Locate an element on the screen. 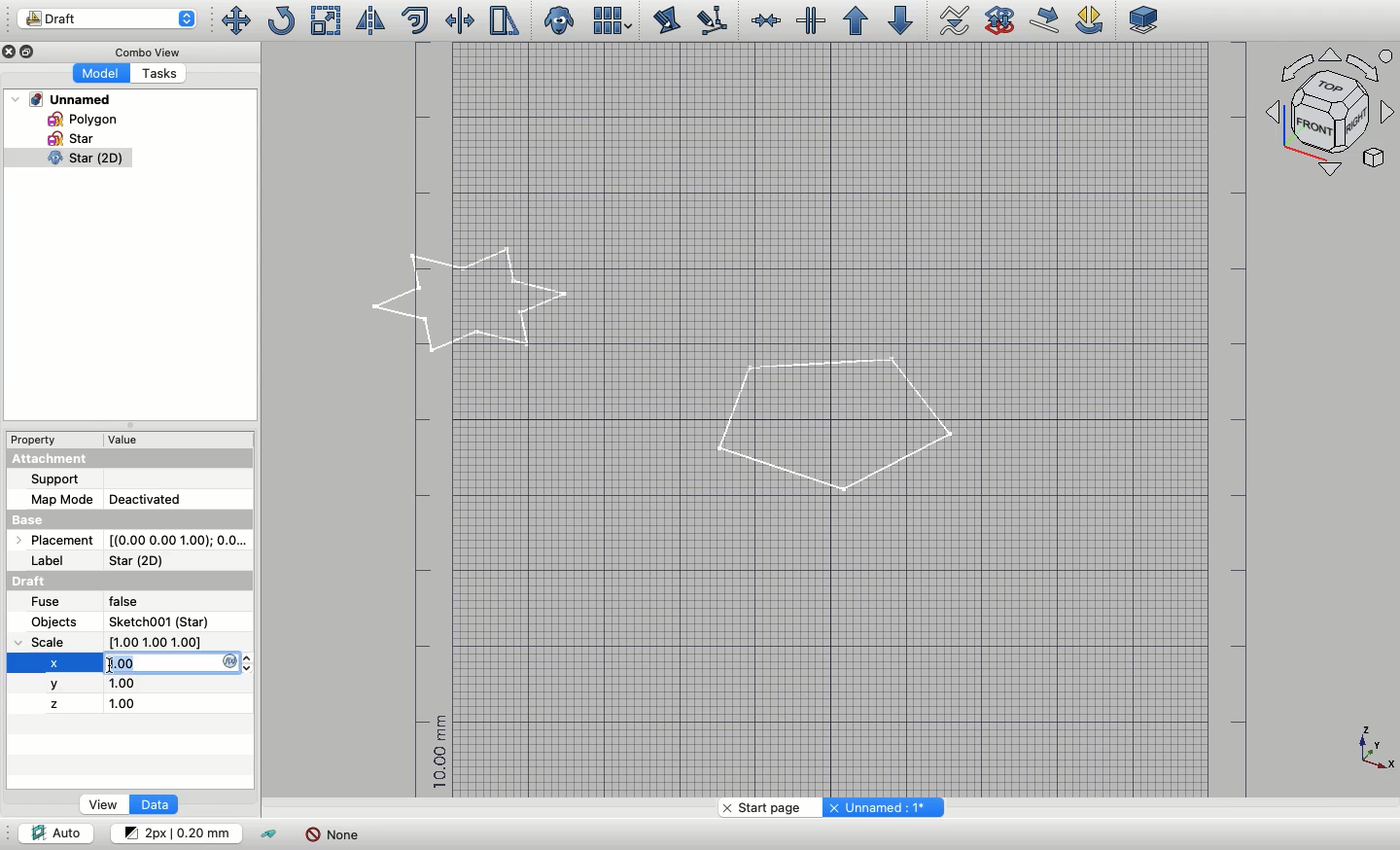 Image resolution: width=1400 pixels, height=850 pixels. Start page is located at coordinates (766, 807).